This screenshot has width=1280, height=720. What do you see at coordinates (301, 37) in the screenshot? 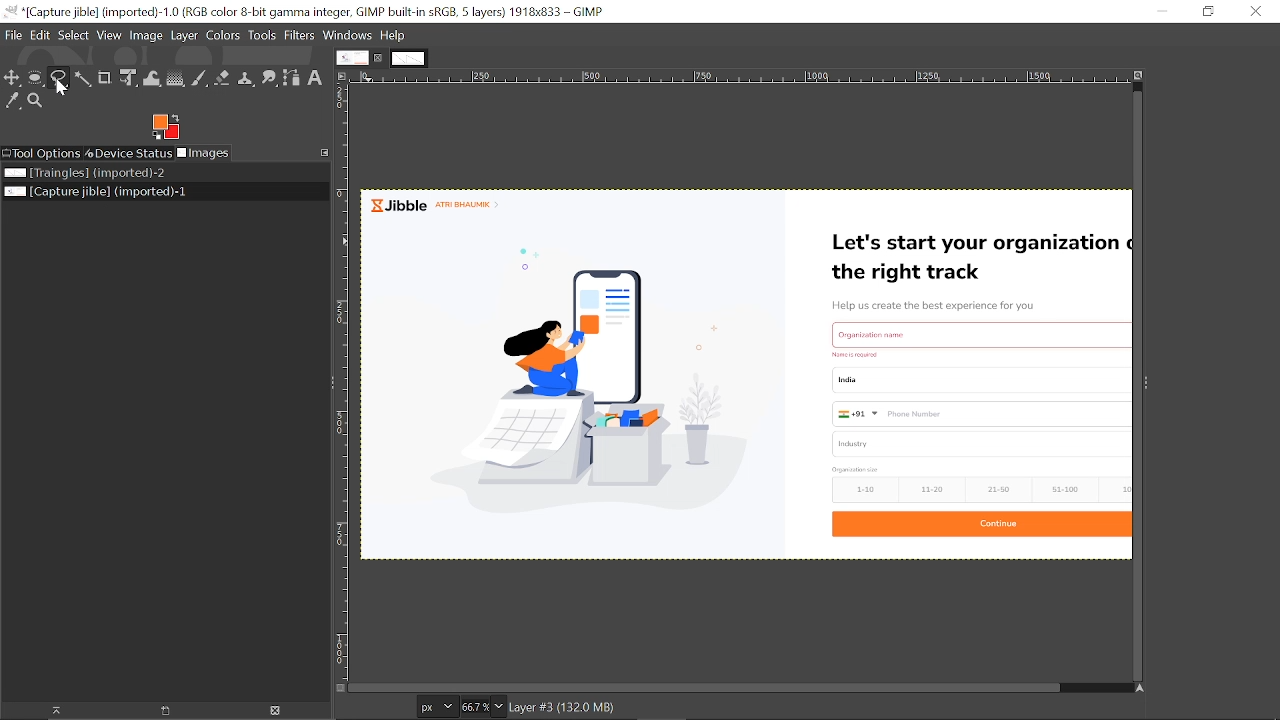
I see `Filters` at bounding box center [301, 37].